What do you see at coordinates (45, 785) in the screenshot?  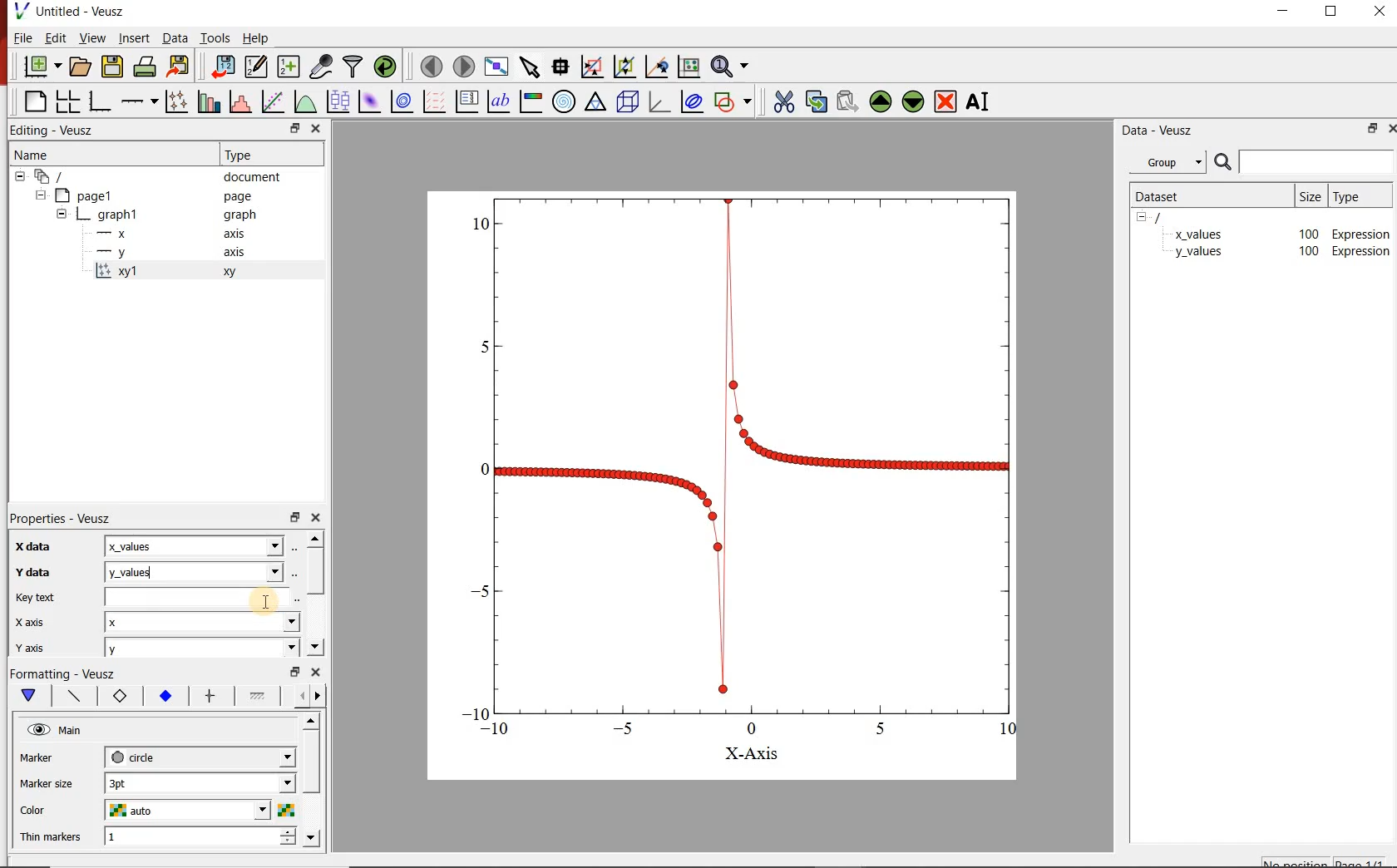 I see `Marker size` at bounding box center [45, 785].